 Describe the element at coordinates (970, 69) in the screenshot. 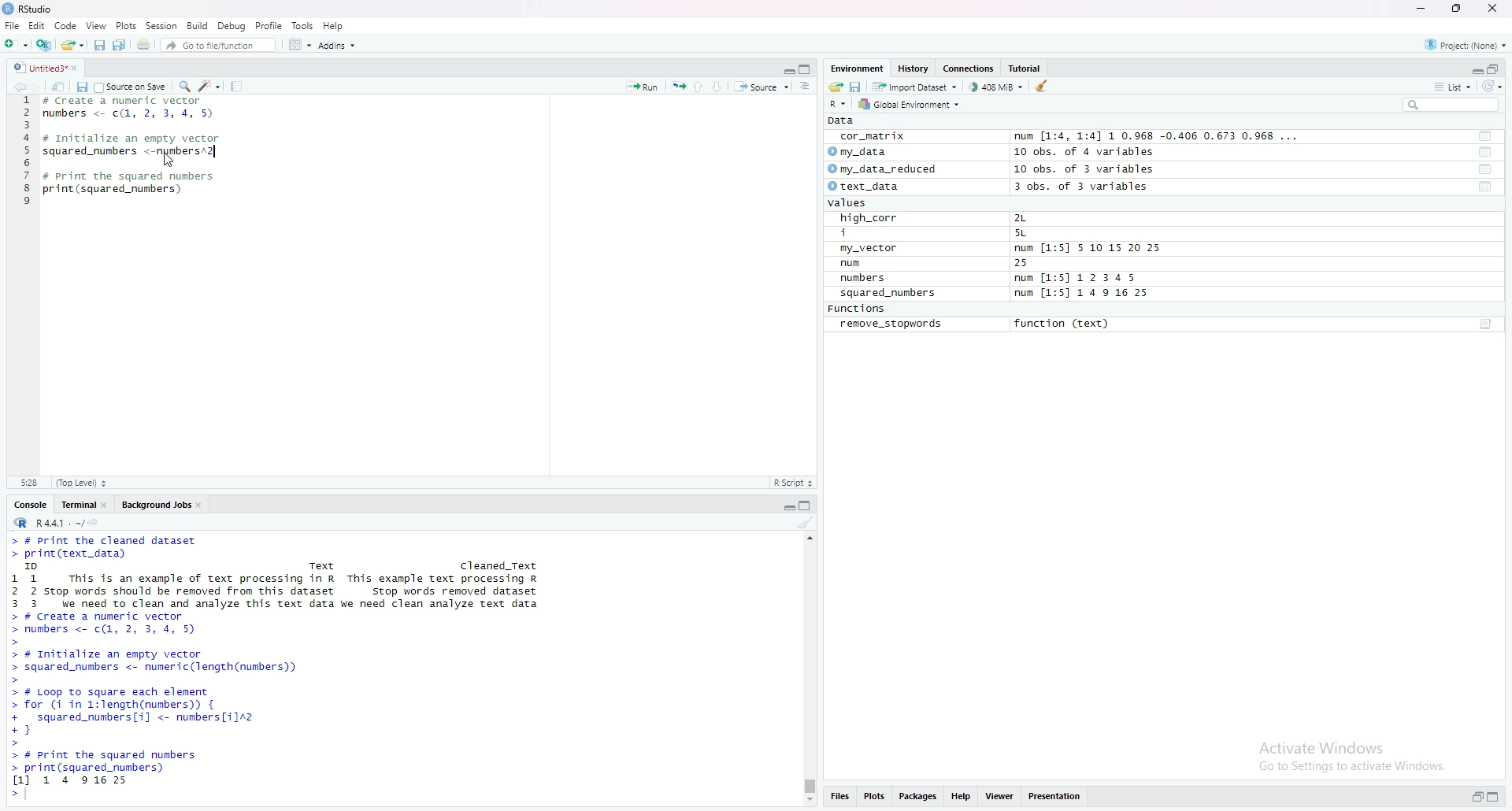

I see `Connections` at that location.